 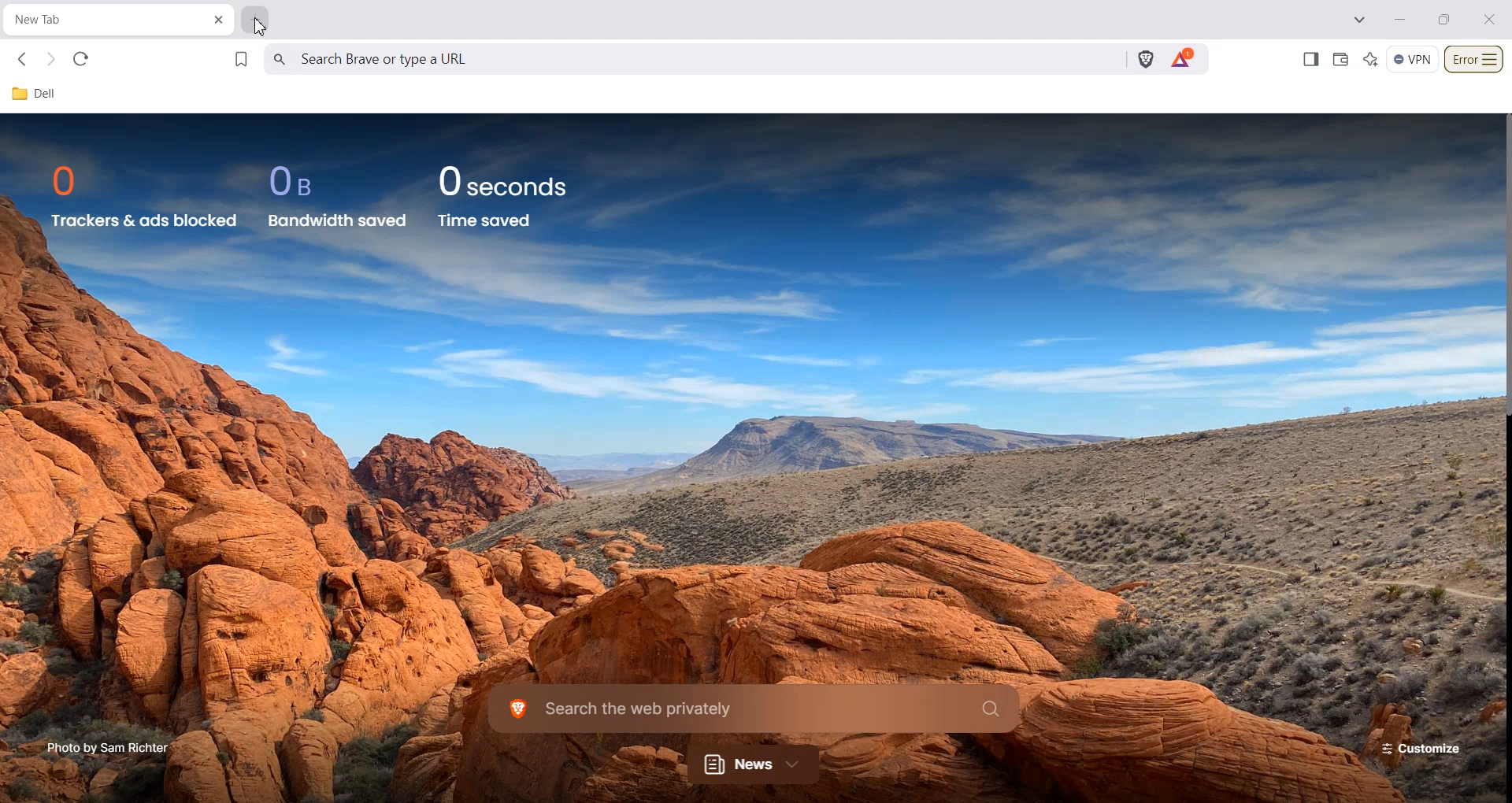 What do you see at coordinates (256, 21) in the screenshot?
I see `Add New Tab` at bounding box center [256, 21].